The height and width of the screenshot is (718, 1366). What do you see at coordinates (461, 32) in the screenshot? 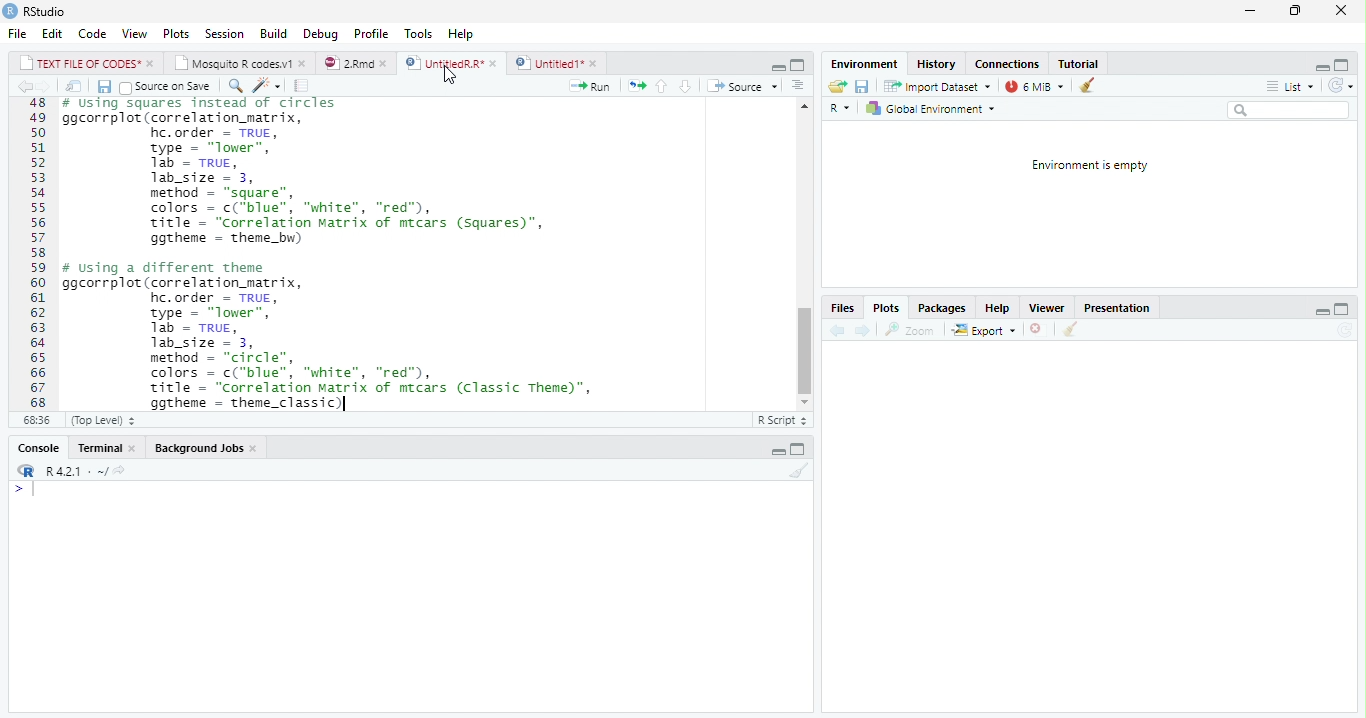
I see `Help` at bounding box center [461, 32].